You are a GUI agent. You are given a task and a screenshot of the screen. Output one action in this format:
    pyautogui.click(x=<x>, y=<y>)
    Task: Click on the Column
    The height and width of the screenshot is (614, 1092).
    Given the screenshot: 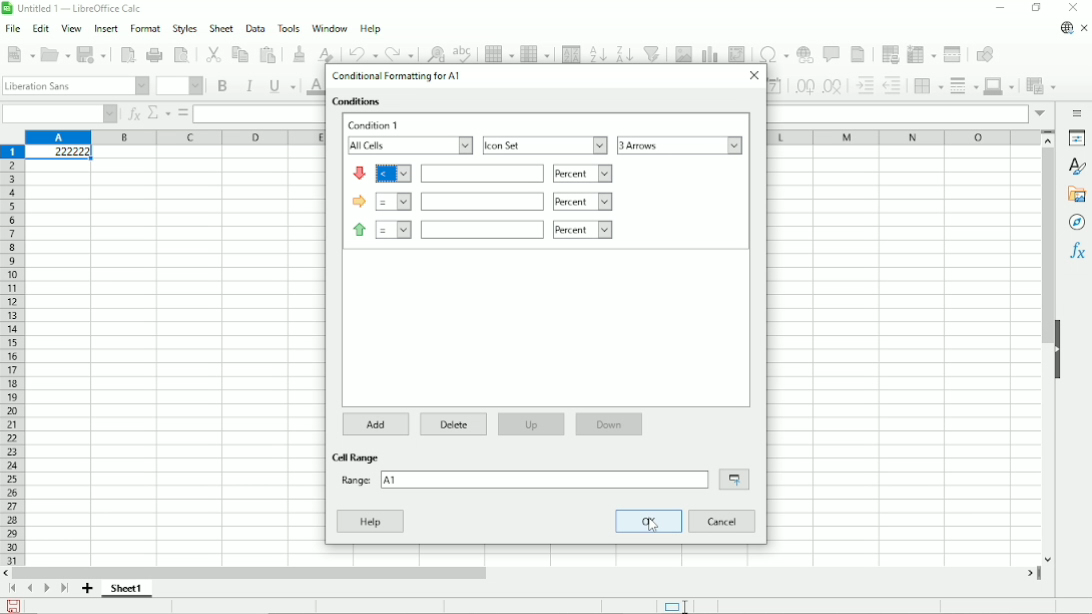 What is the action you would take?
    pyautogui.click(x=535, y=51)
    